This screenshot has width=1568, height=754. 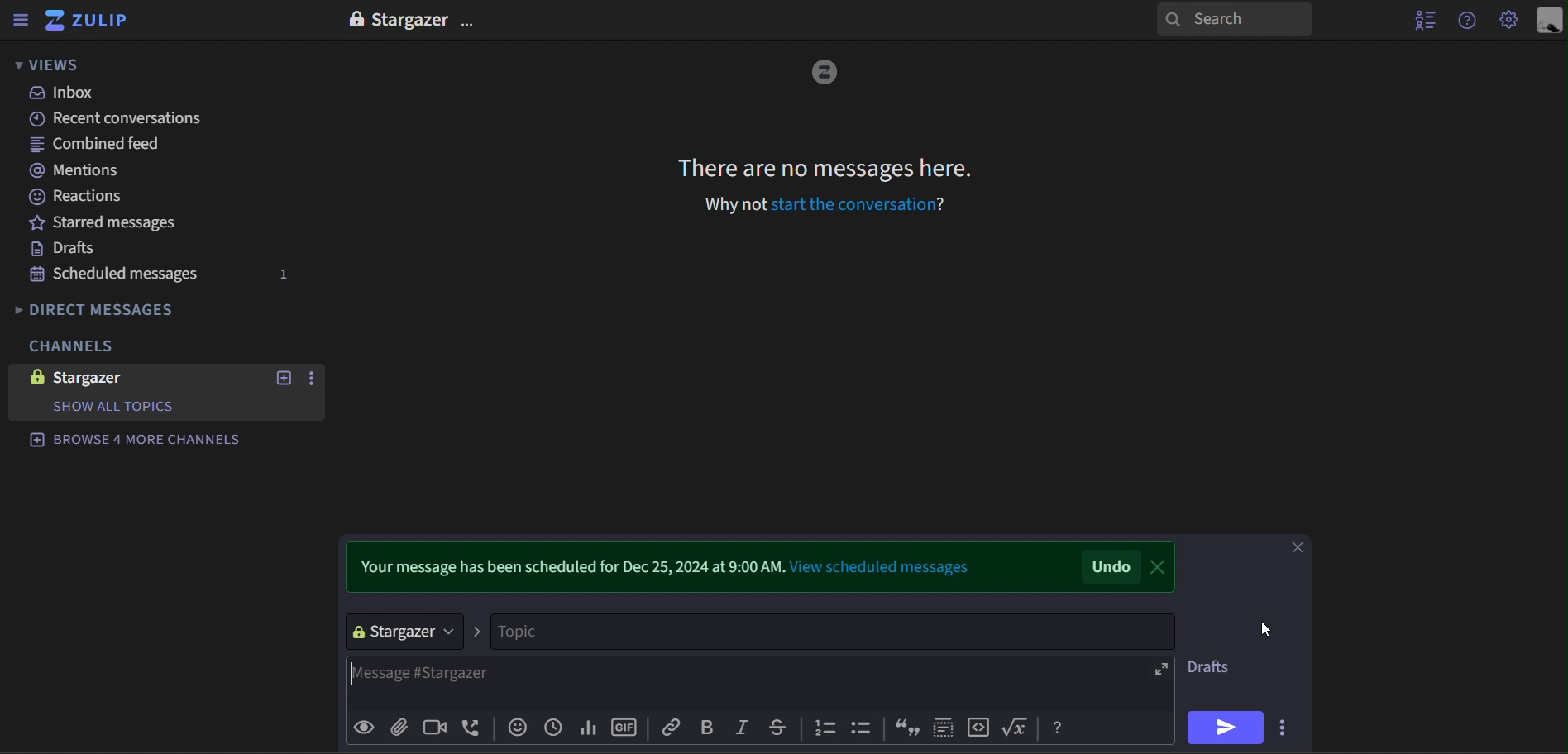 What do you see at coordinates (1212, 666) in the screenshot?
I see `drafts` at bounding box center [1212, 666].